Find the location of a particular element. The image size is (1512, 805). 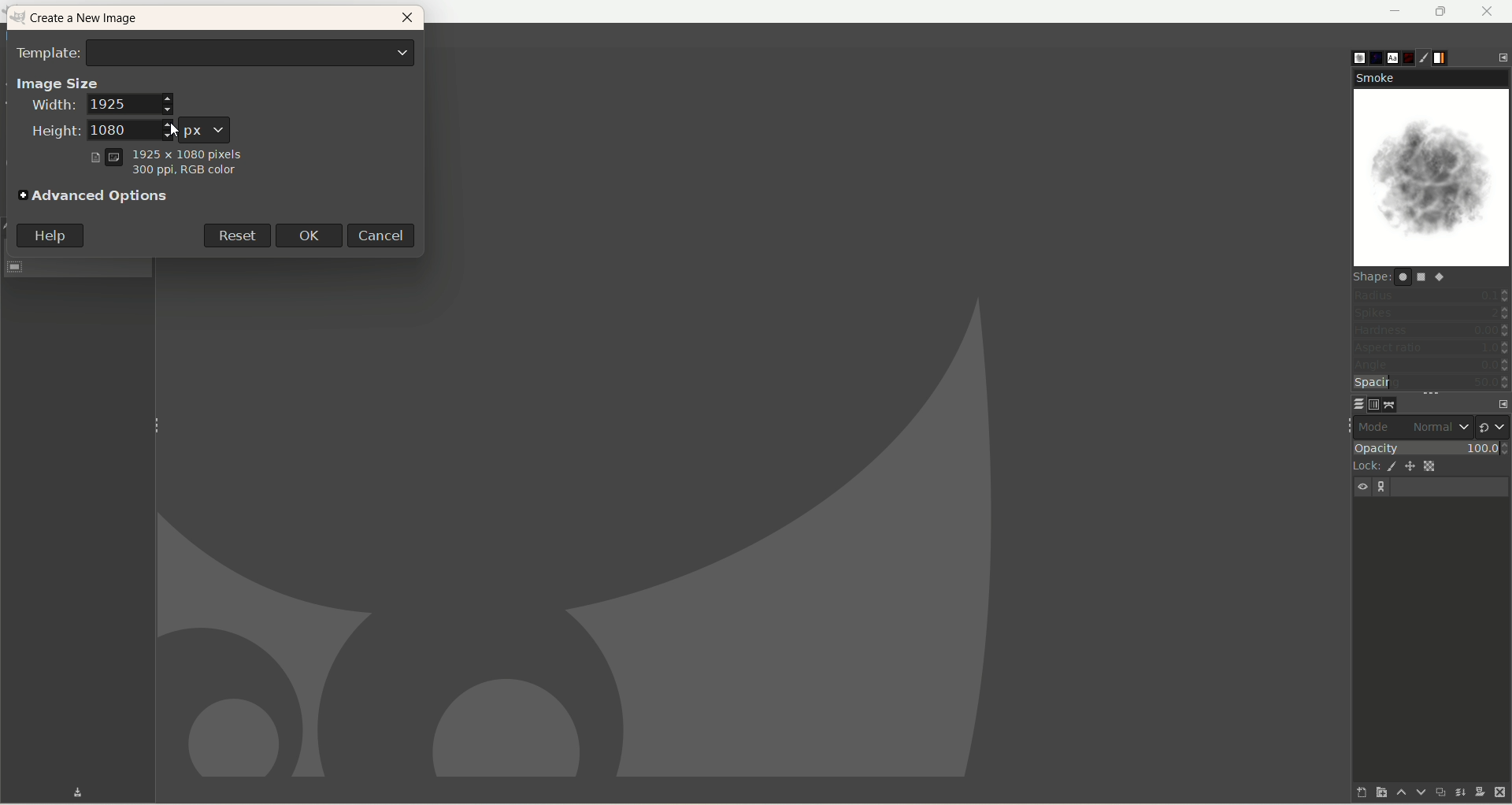

switch mode group is located at coordinates (1493, 423).